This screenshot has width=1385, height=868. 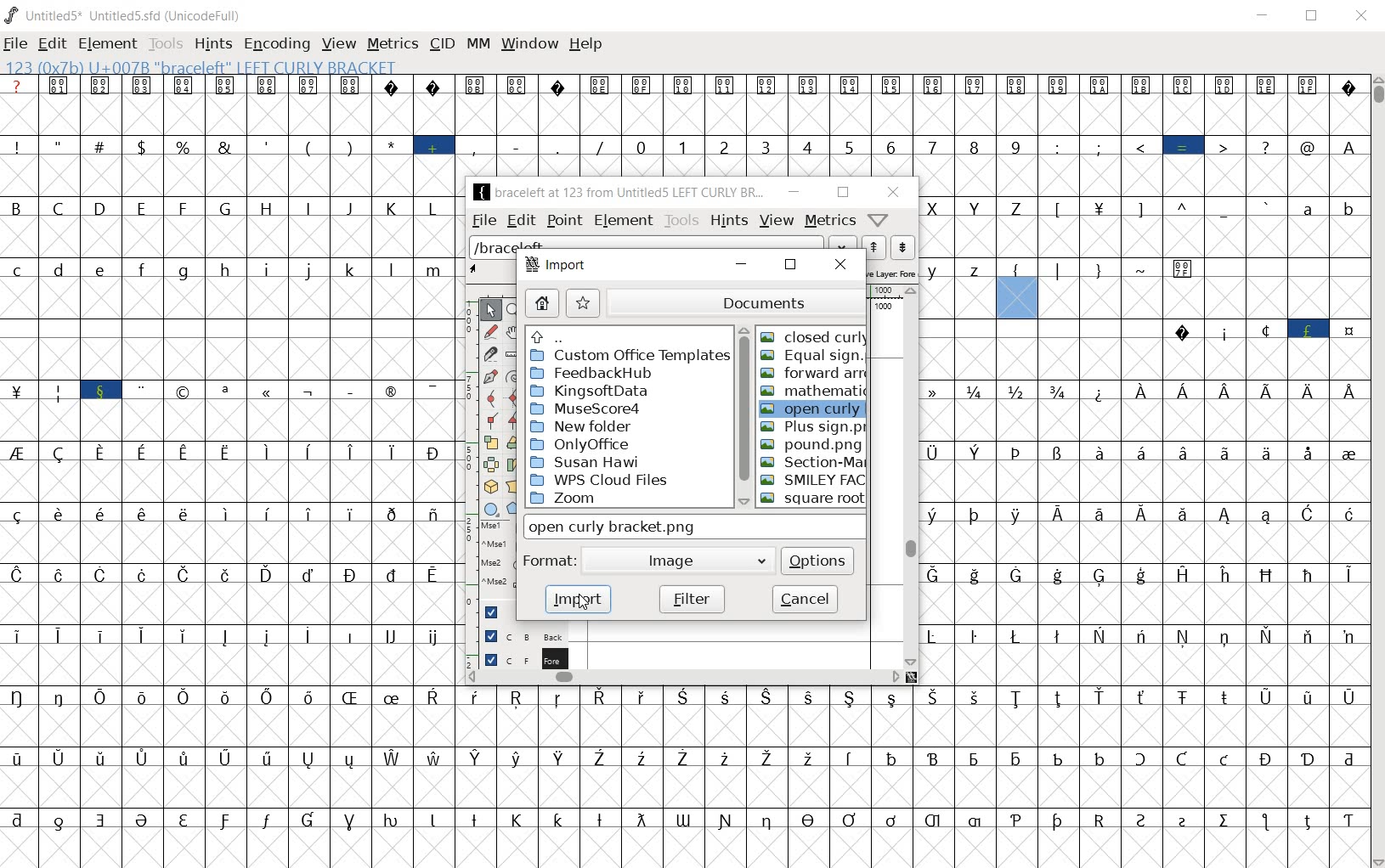 What do you see at coordinates (584, 304) in the screenshot?
I see `star` at bounding box center [584, 304].